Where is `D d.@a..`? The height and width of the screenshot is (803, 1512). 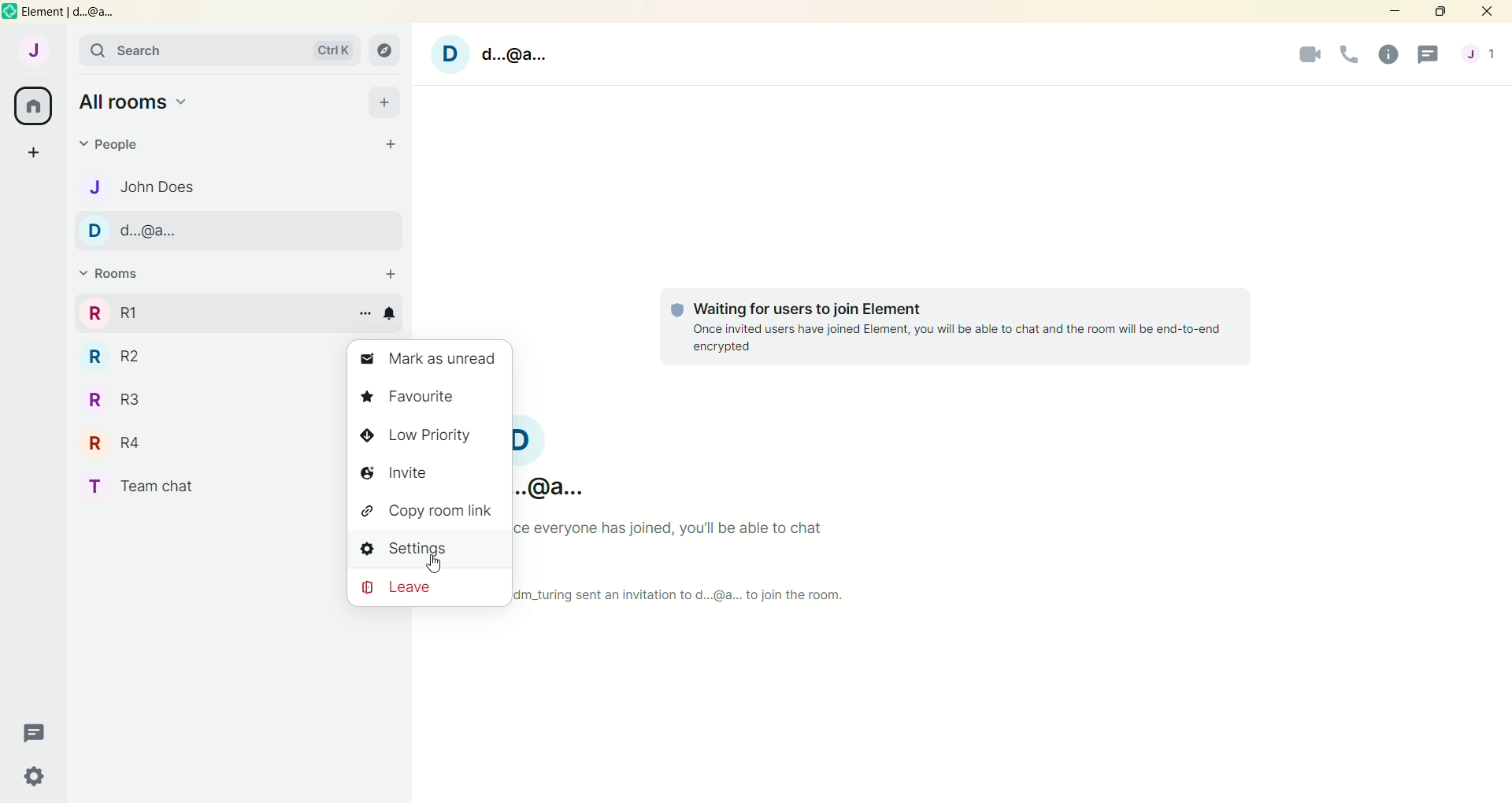
D d.@a.. is located at coordinates (132, 236).